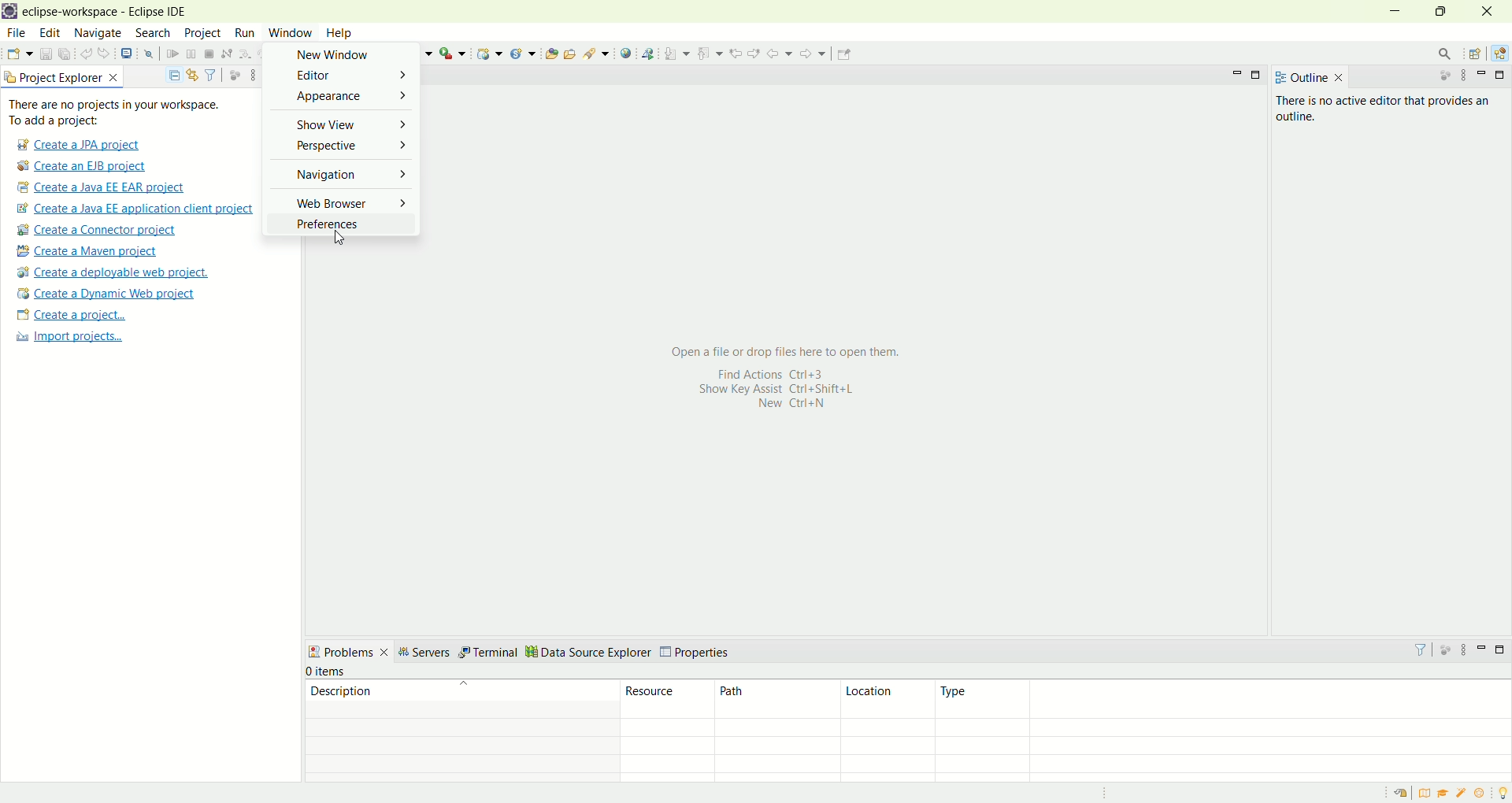 The width and height of the screenshot is (1512, 803). I want to click on create a Java EE application client project, so click(135, 211).